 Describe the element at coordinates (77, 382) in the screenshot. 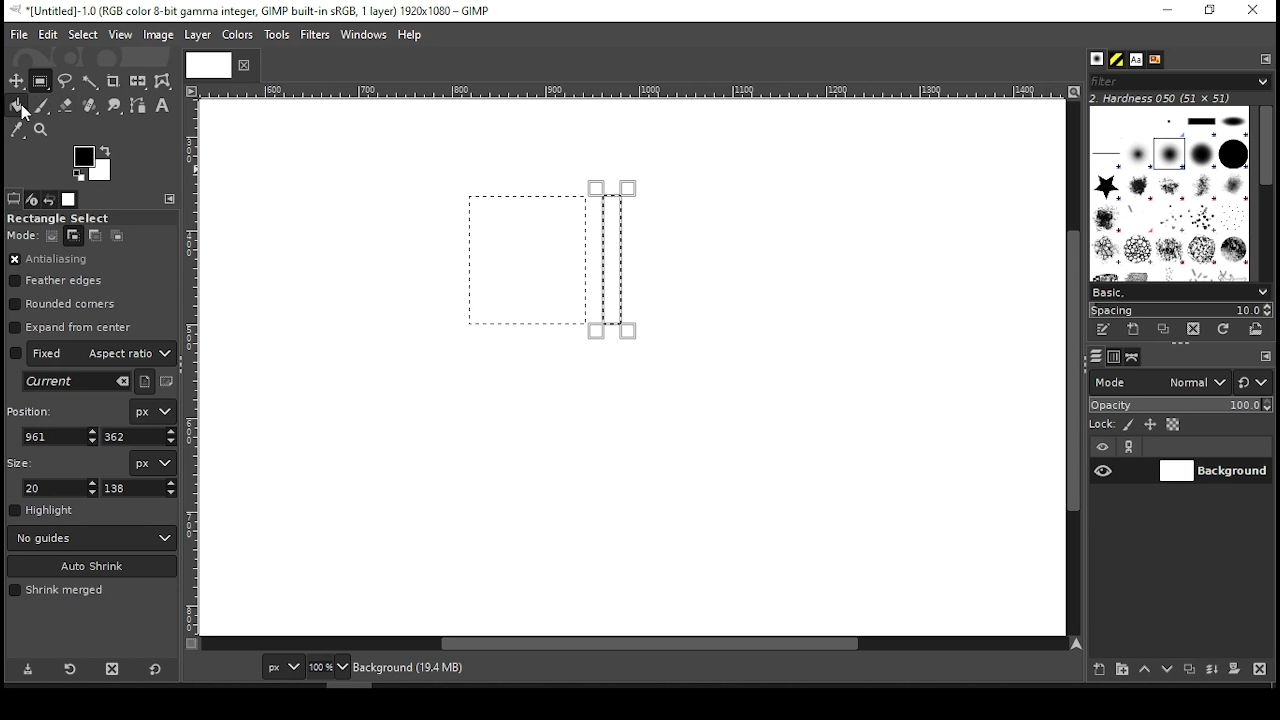

I see `pick aspect ration` at that location.